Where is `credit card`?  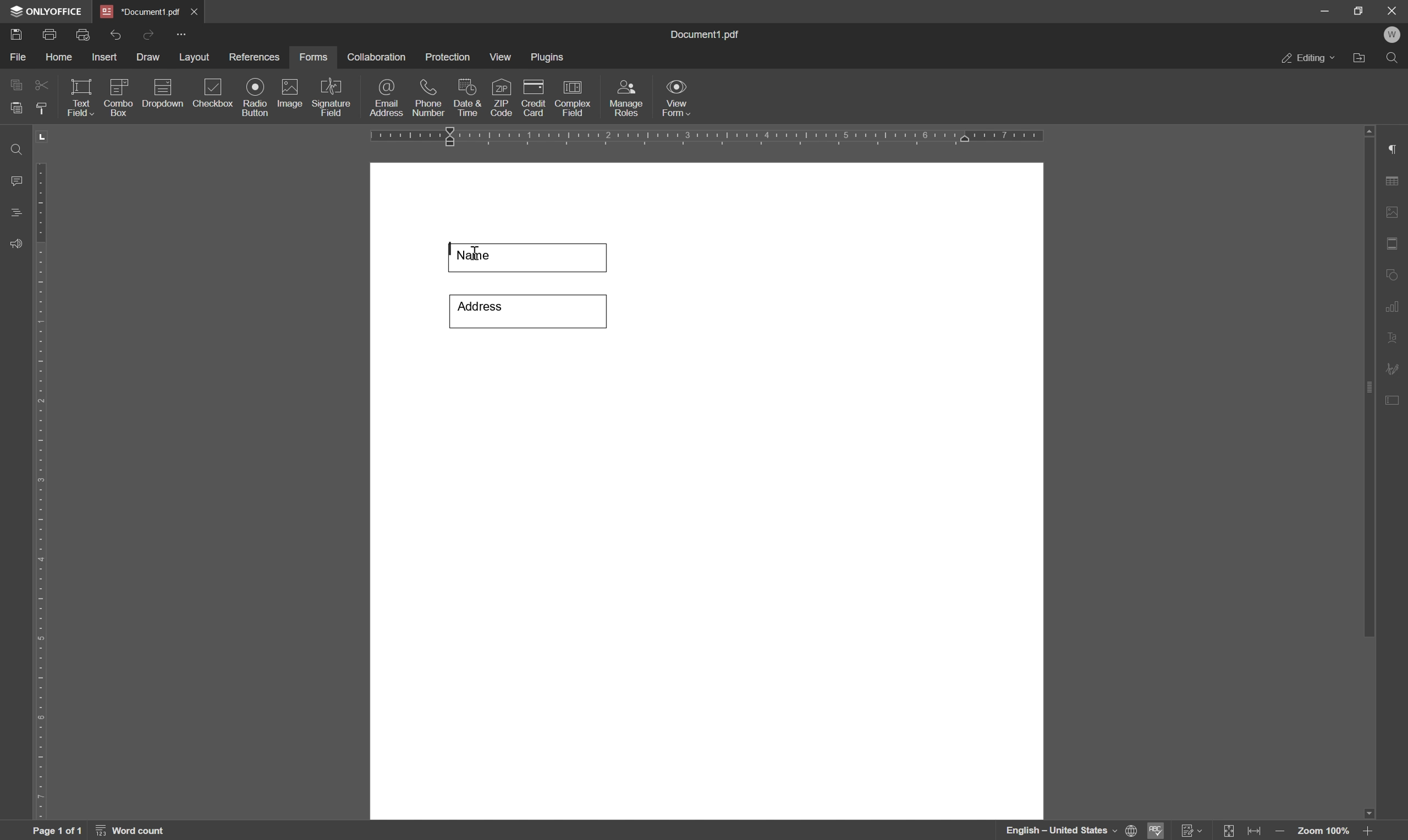 credit card is located at coordinates (534, 97).